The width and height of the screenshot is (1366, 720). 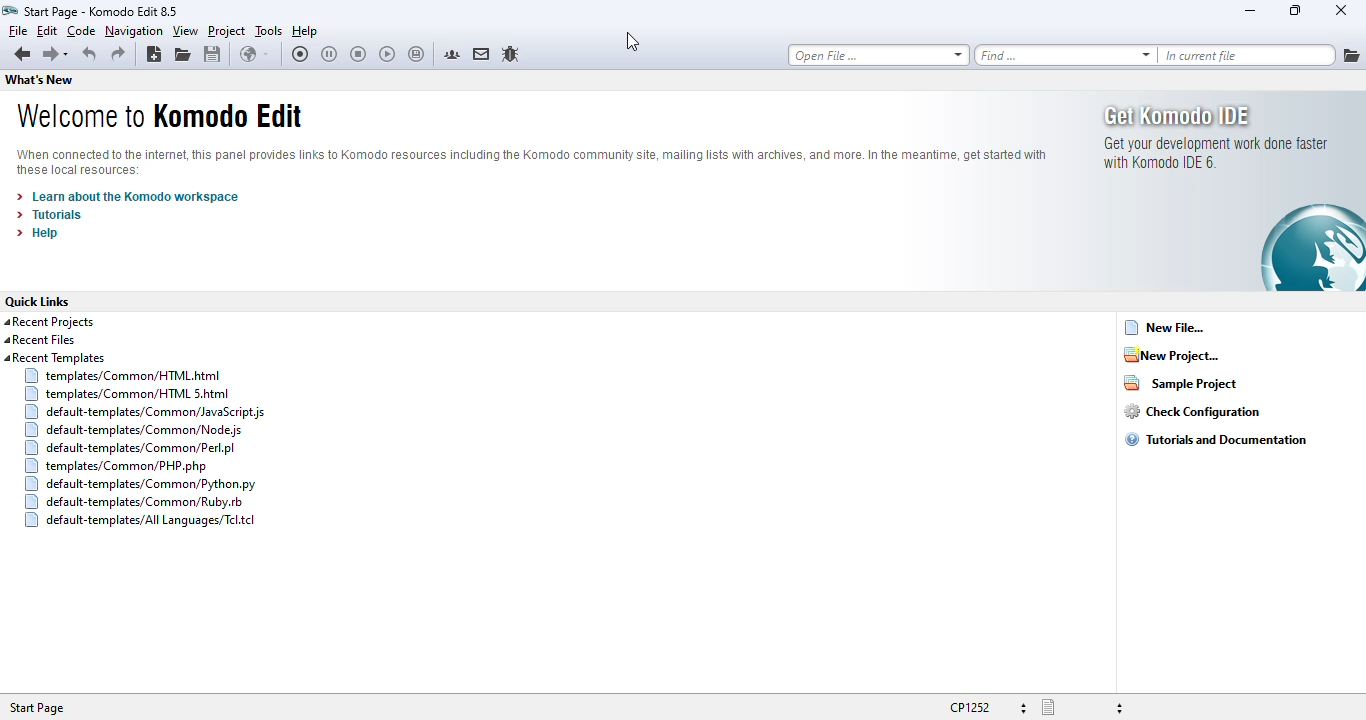 I want to click on help, so click(x=305, y=31).